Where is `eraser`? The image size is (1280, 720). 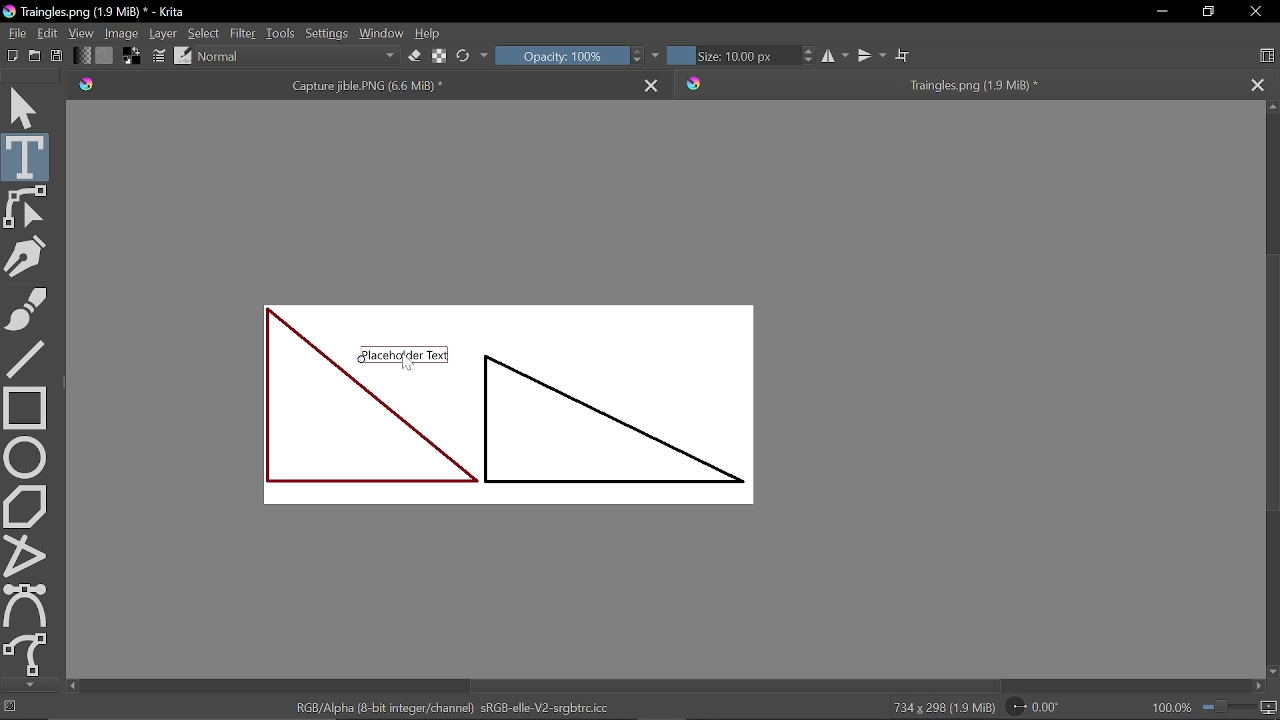 eraser is located at coordinates (415, 58).